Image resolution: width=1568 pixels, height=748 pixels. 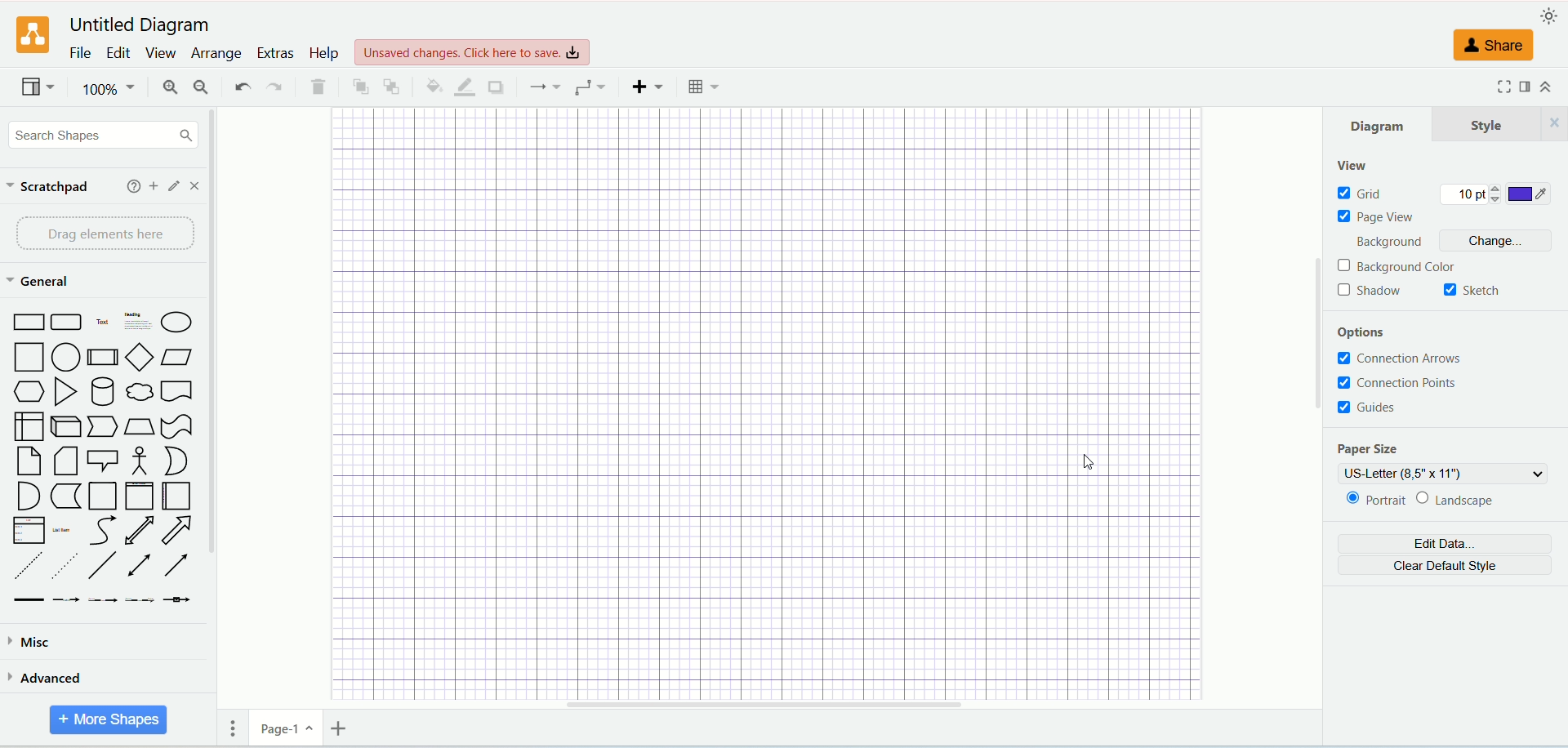 I want to click on Horizontal Scroll Bar, so click(x=774, y=702).